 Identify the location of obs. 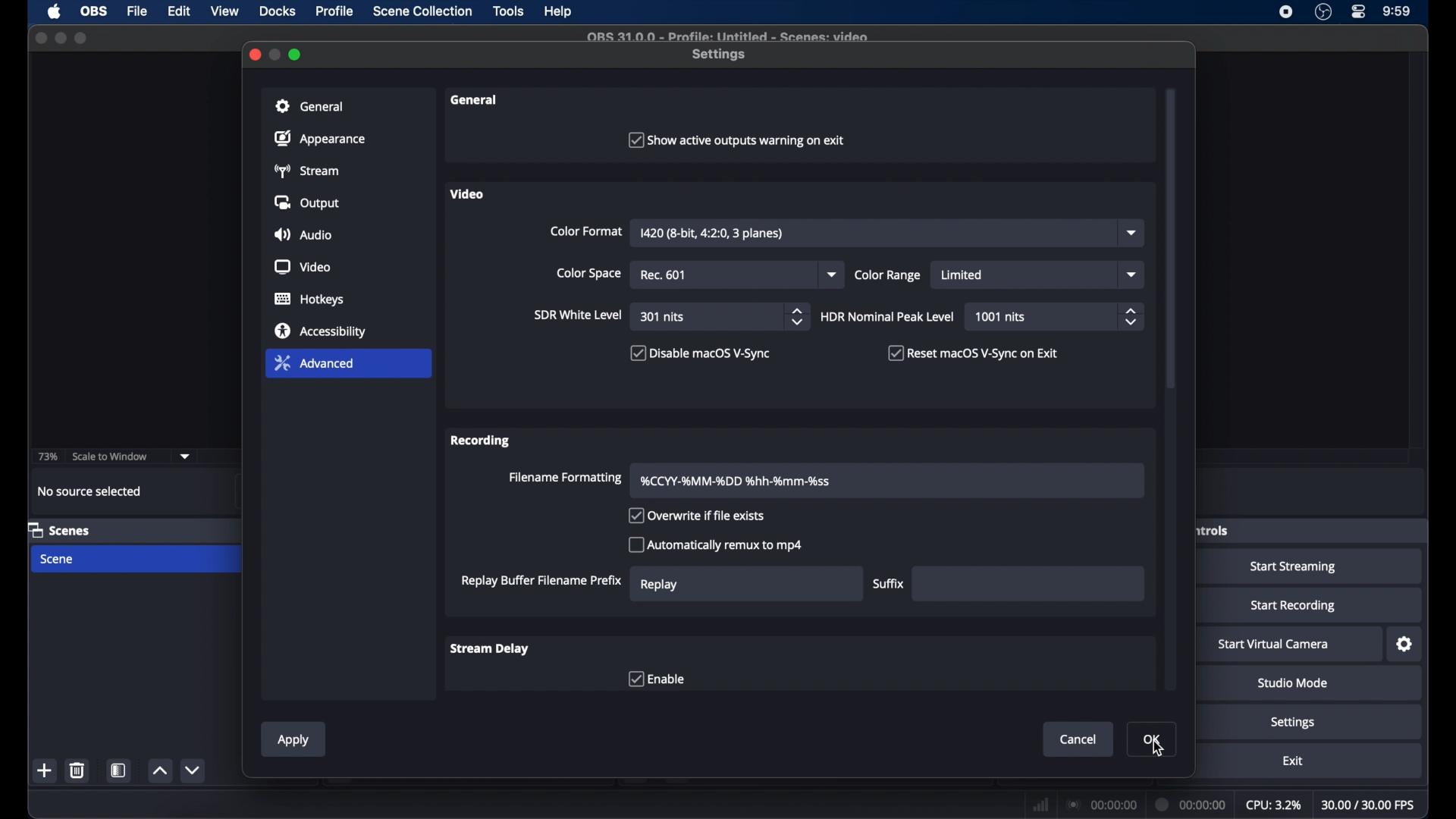
(93, 11).